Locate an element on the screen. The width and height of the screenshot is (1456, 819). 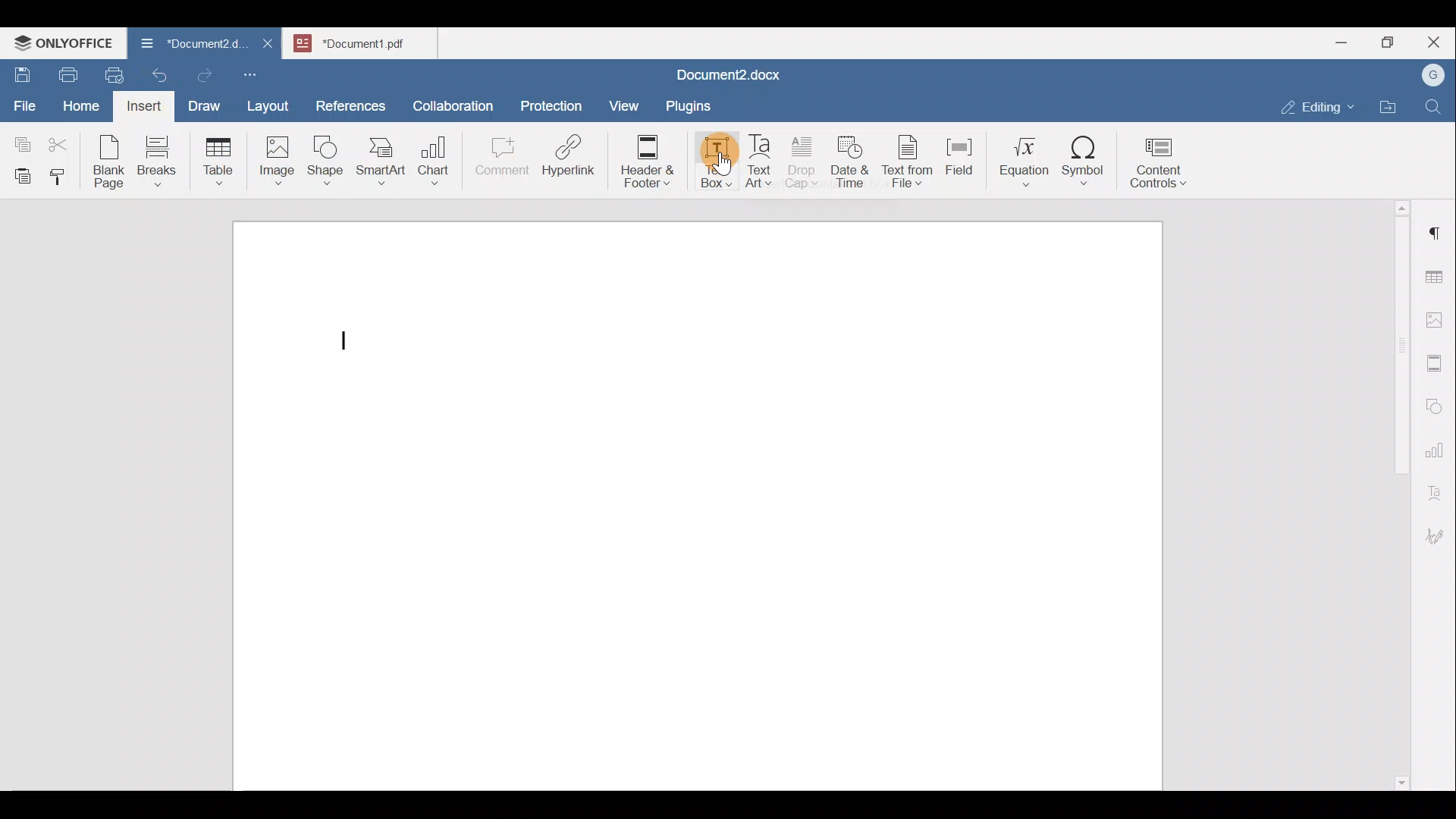
Image settings is located at coordinates (1437, 318).